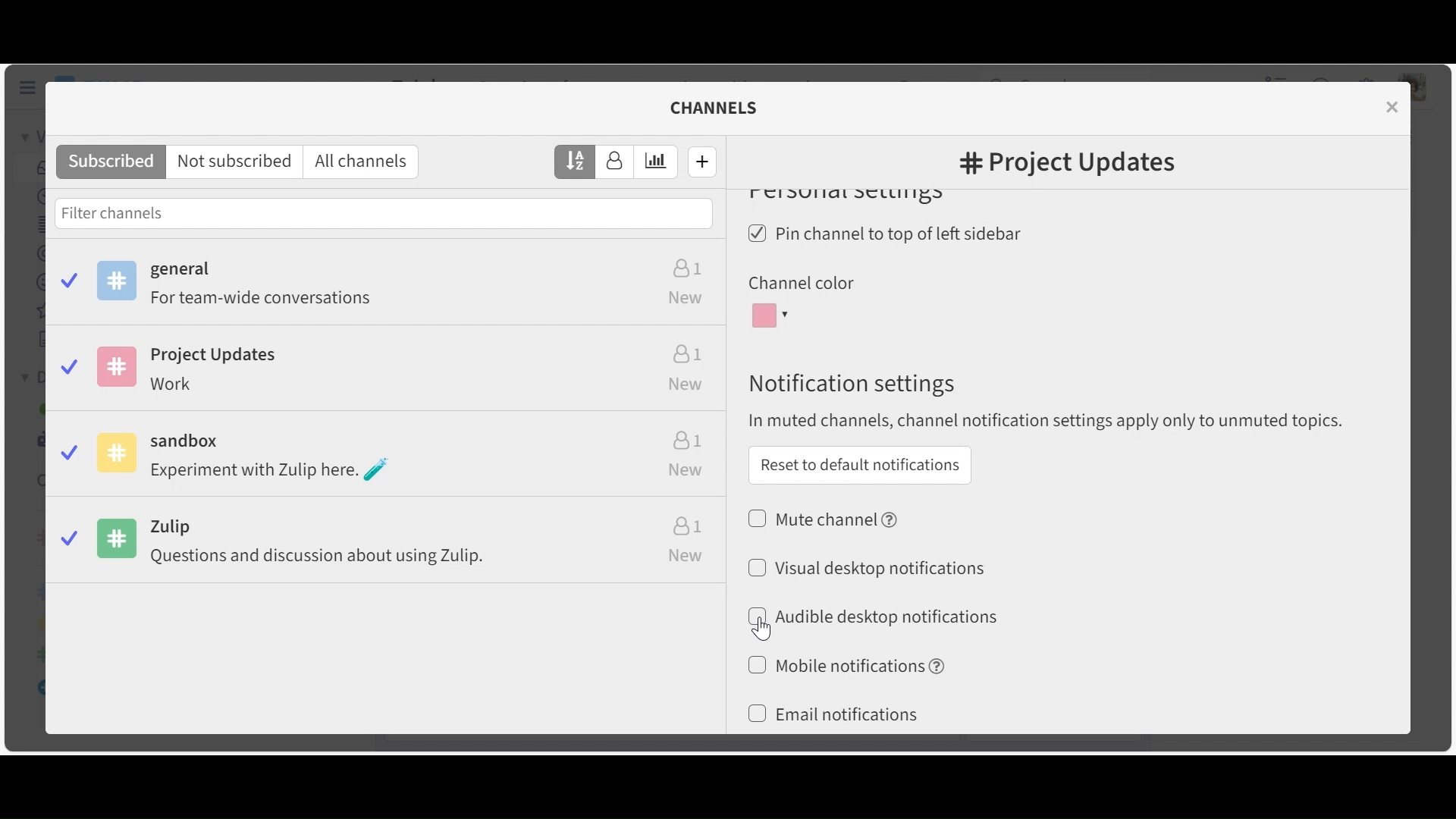  Describe the element at coordinates (866, 566) in the screenshot. I see `(un)select Visual desktop notifications` at that location.